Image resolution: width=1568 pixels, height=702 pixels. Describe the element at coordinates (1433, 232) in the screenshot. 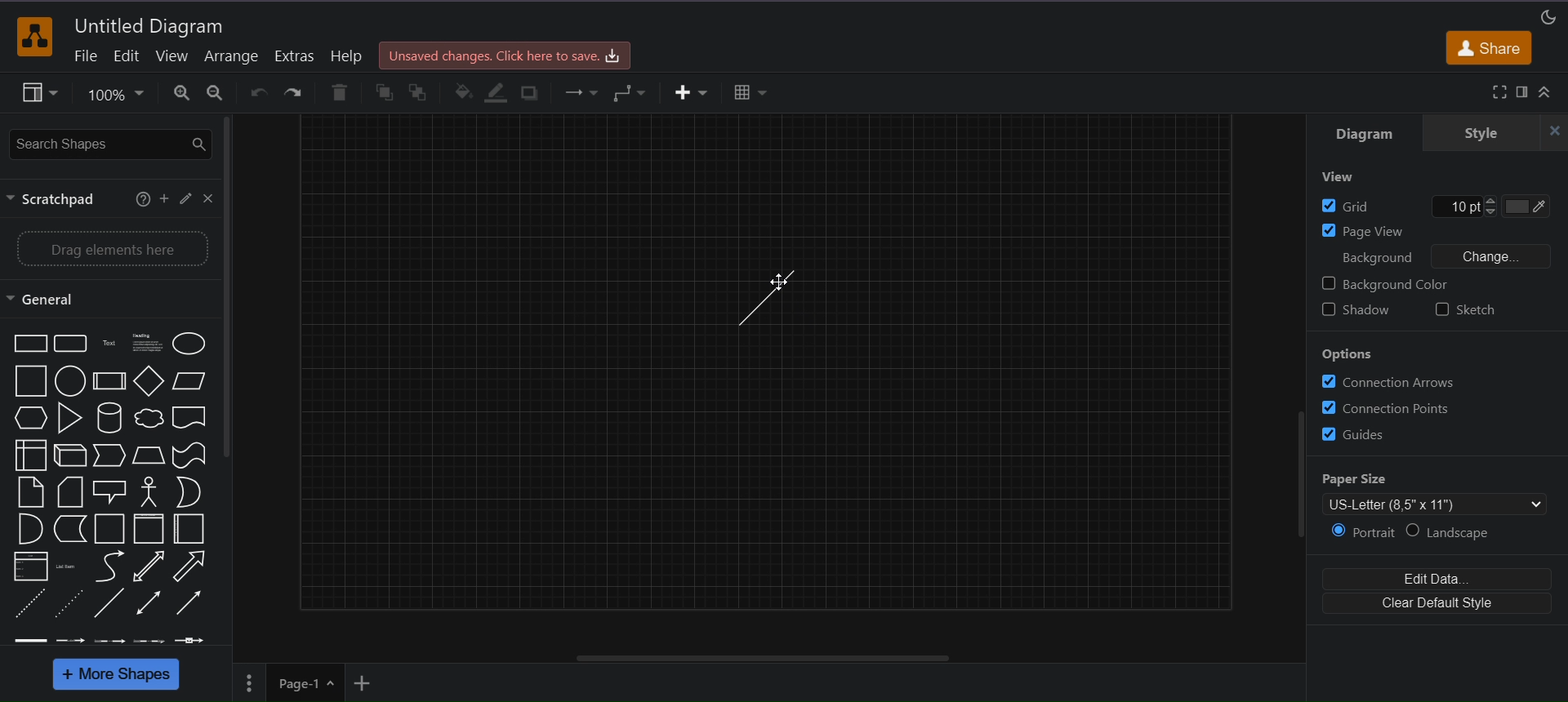

I see `page view` at that location.